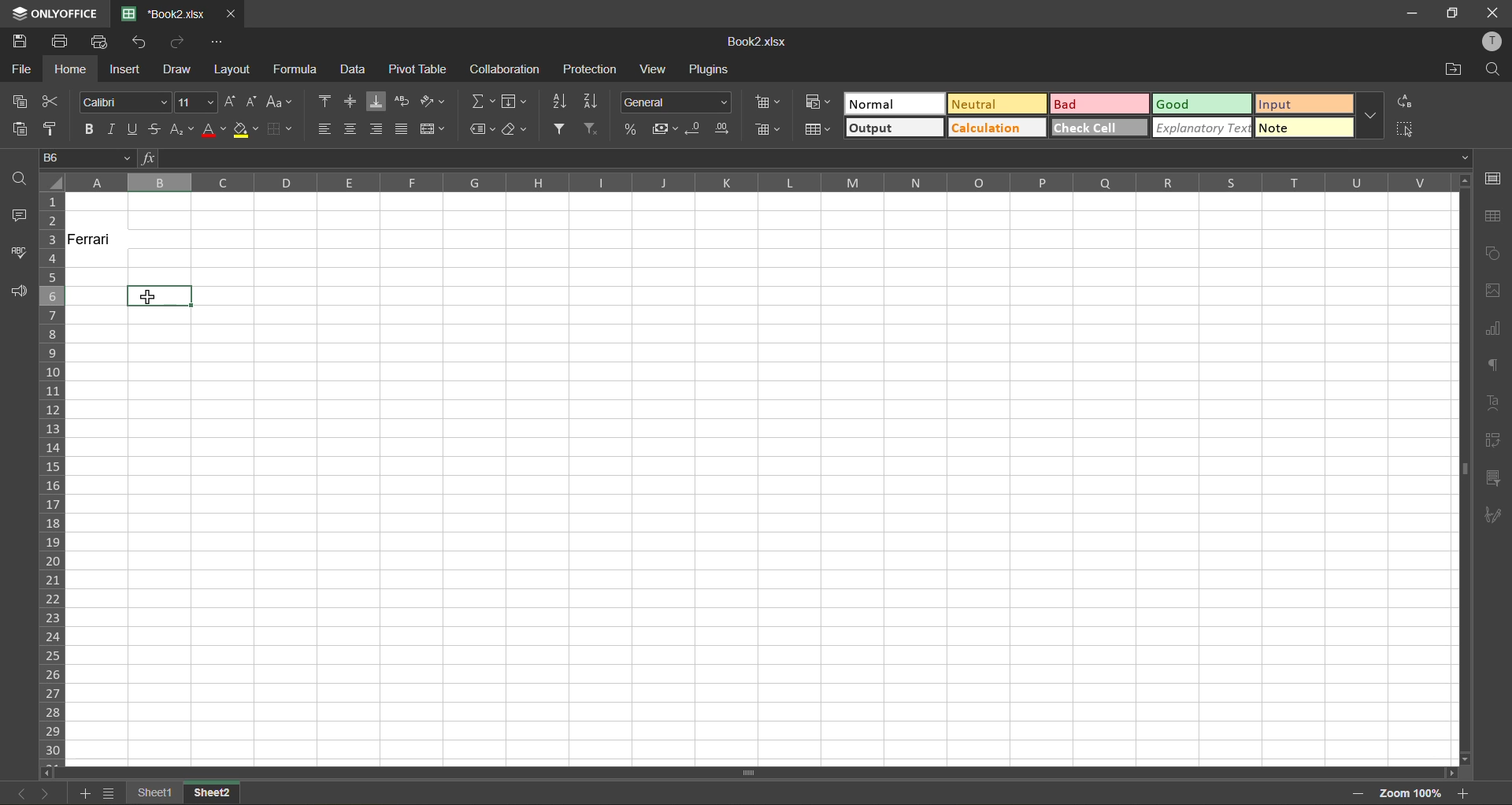 The width and height of the screenshot is (1512, 805). Describe the element at coordinates (59, 42) in the screenshot. I see `print` at that location.